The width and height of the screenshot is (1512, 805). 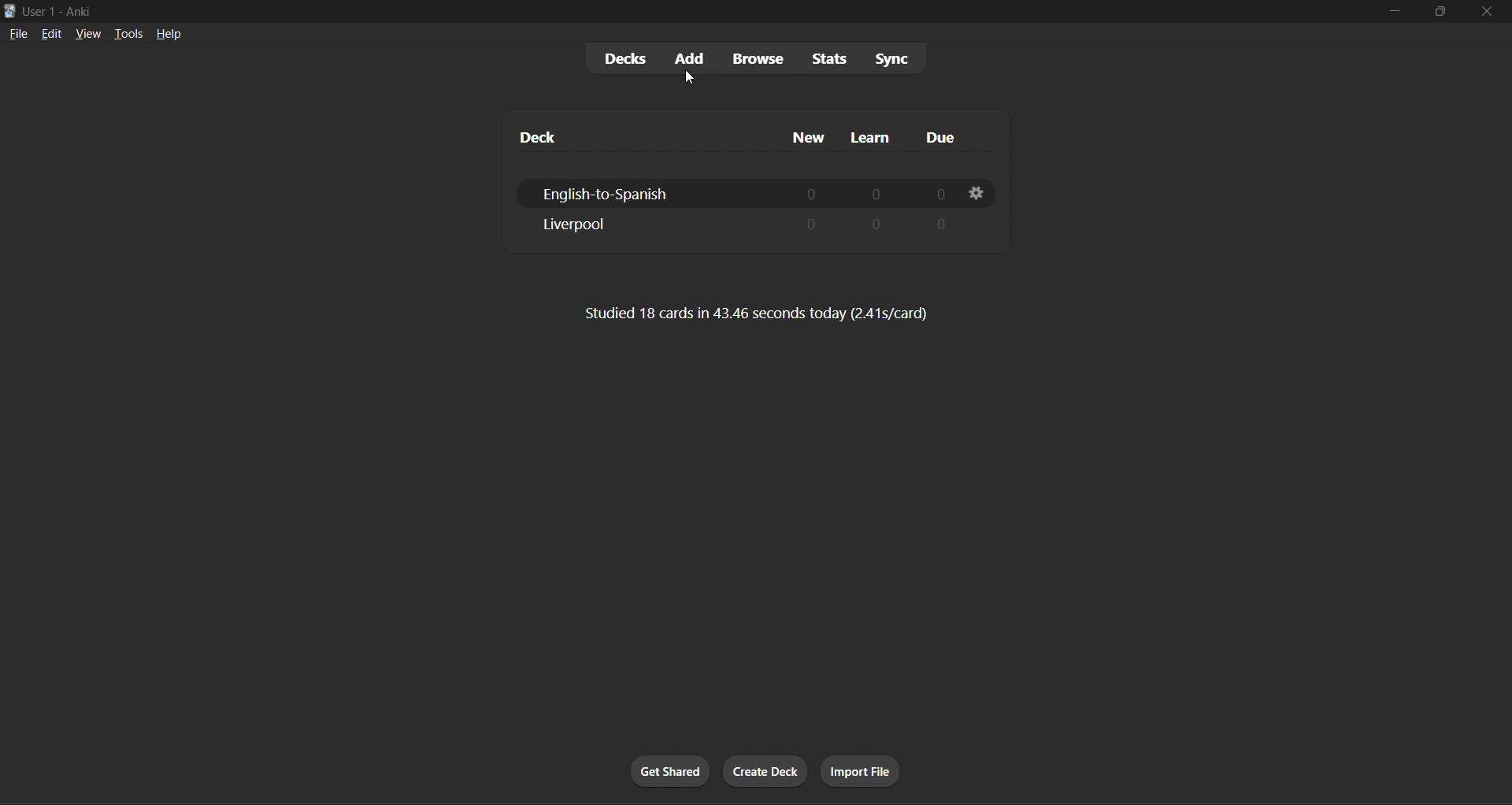 I want to click on create deck, so click(x=762, y=769).